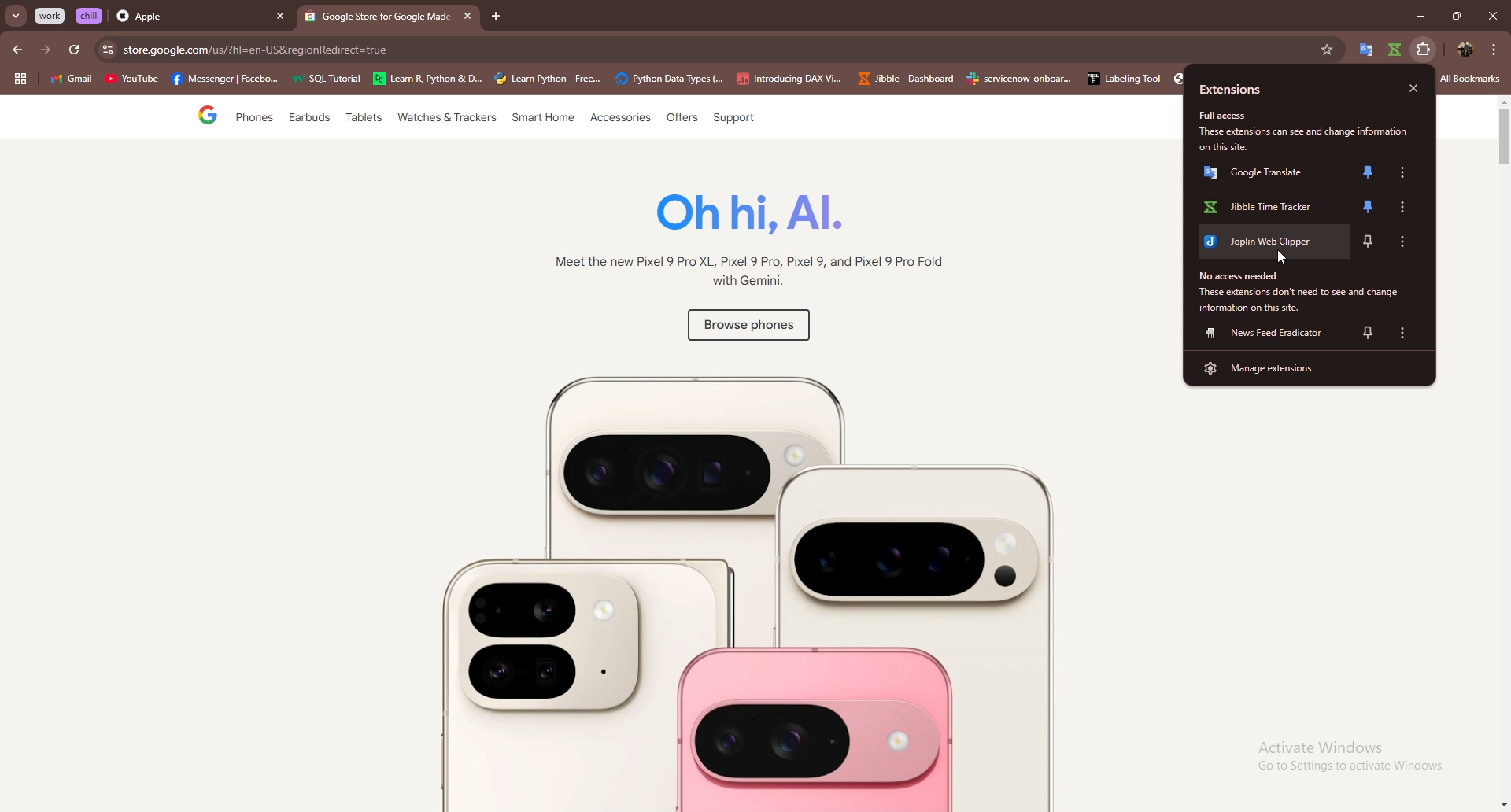 This screenshot has height=812, width=1511. Describe the element at coordinates (363, 120) in the screenshot. I see `Tablets` at that location.